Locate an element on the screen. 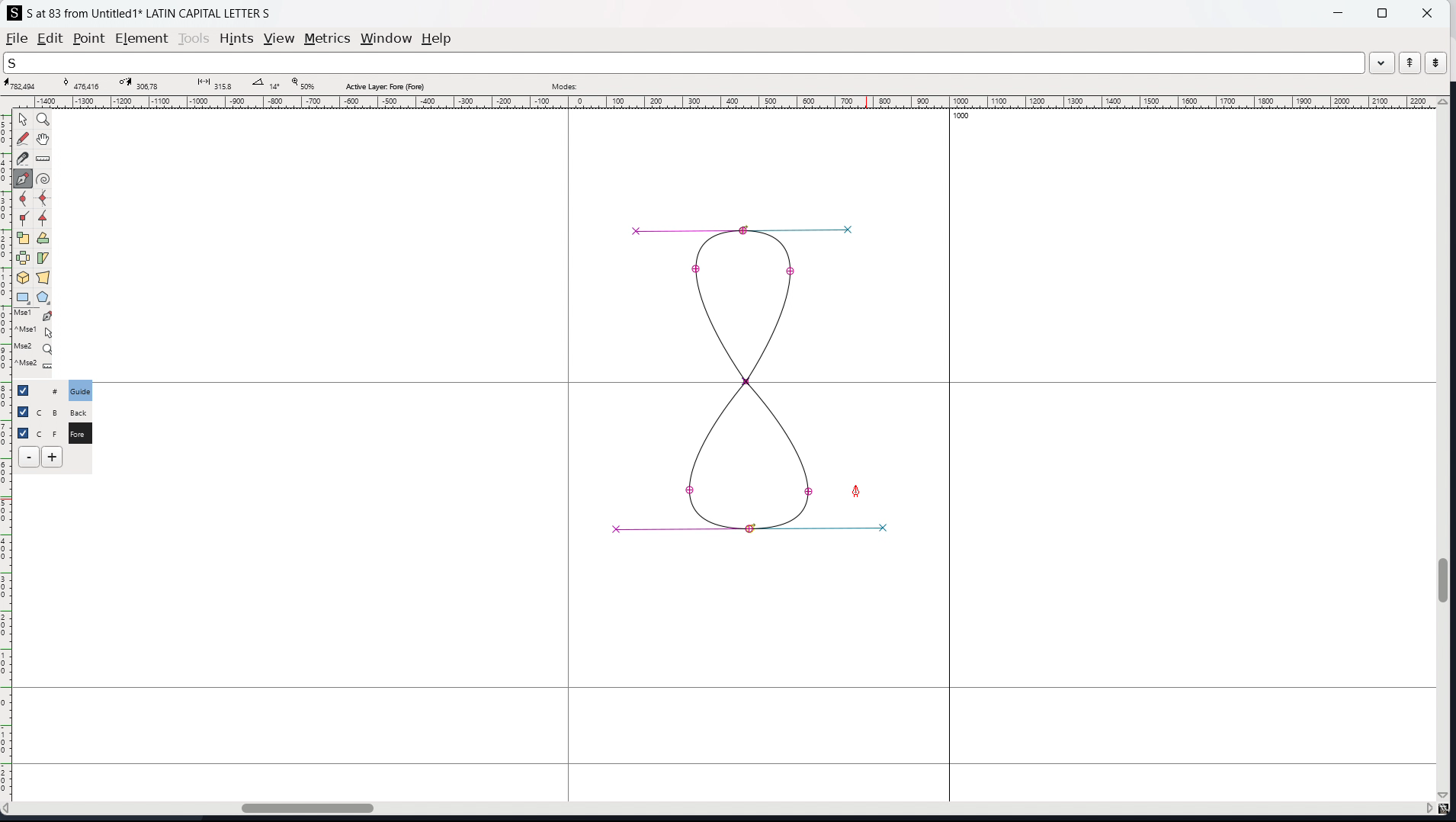  rotate the selection in 3D and project back to plane  is located at coordinates (23, 278).